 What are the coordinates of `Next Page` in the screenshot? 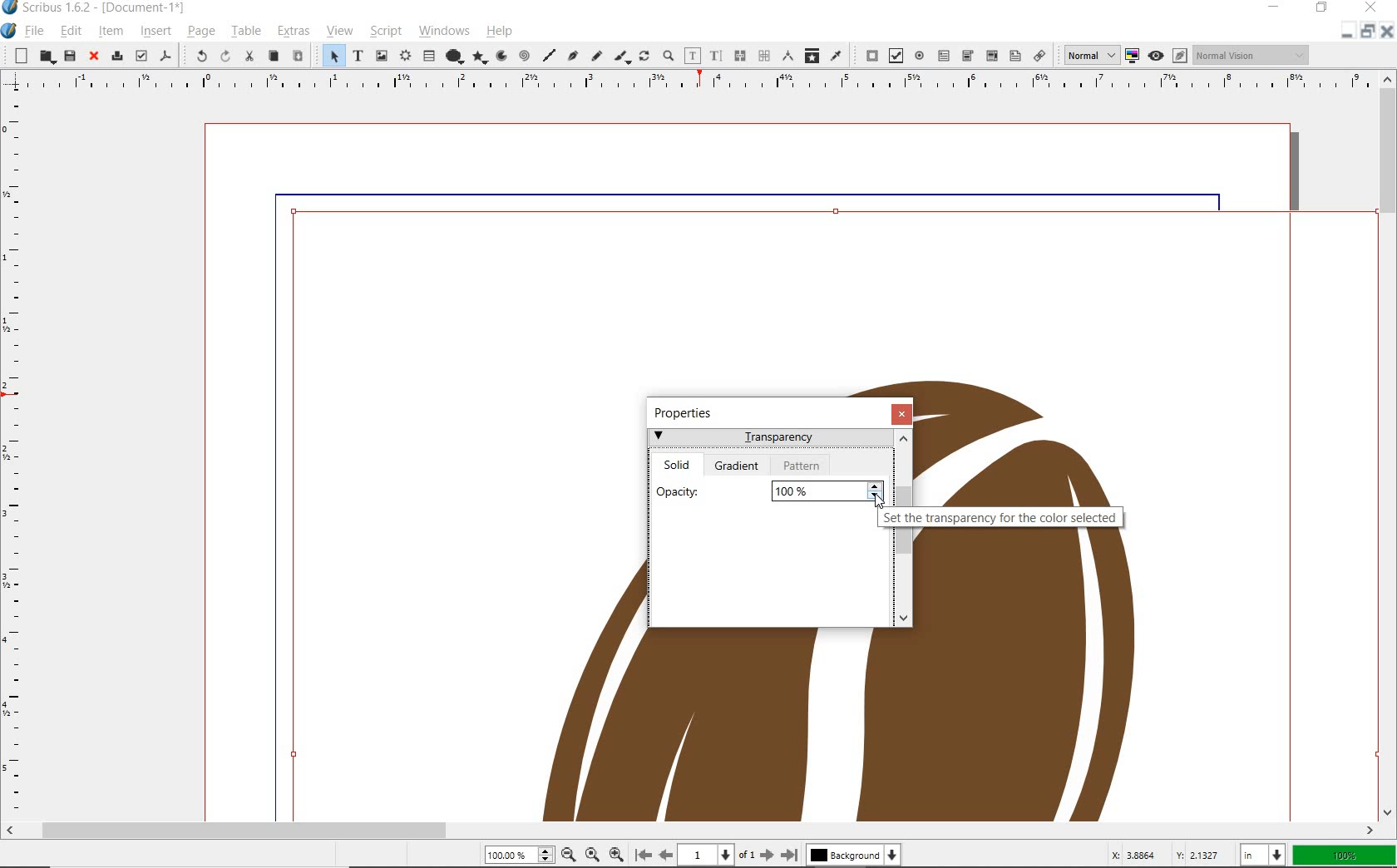 It's located at (768, 856).